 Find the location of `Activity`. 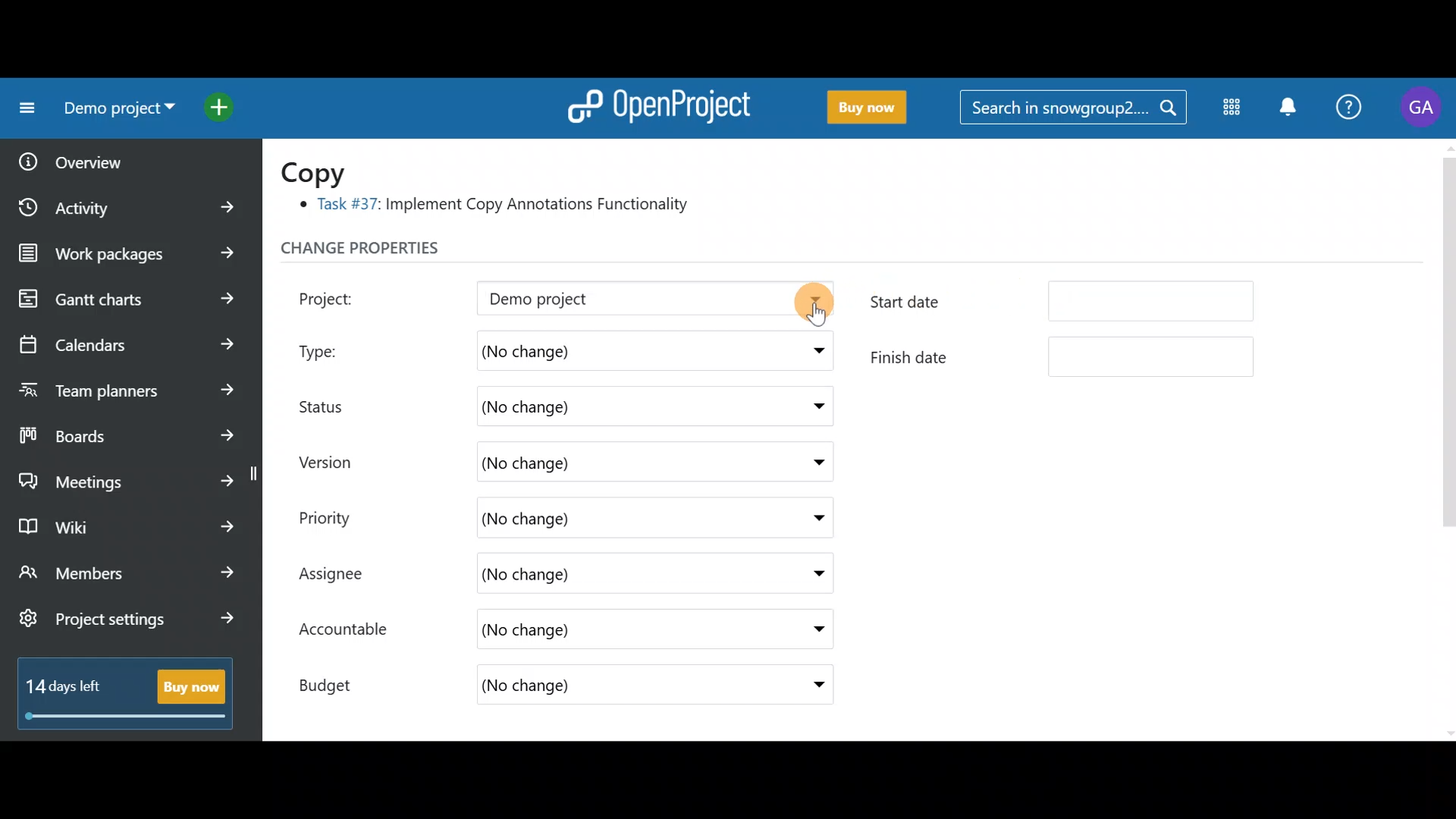

Activity is located at coordinates (131, 202).